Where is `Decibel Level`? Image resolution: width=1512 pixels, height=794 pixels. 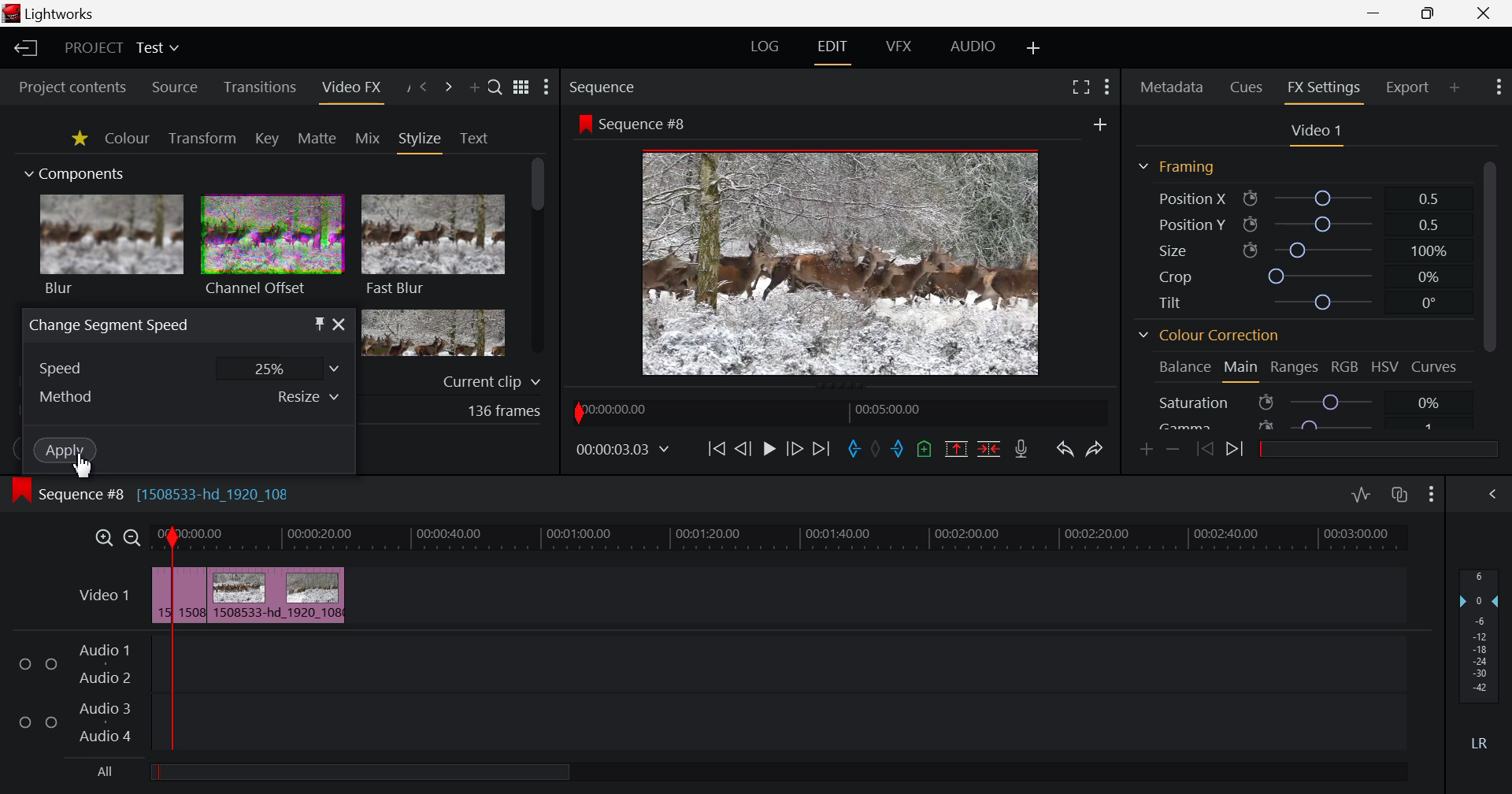 Decibel Level is located at coordinates (1480, 655).